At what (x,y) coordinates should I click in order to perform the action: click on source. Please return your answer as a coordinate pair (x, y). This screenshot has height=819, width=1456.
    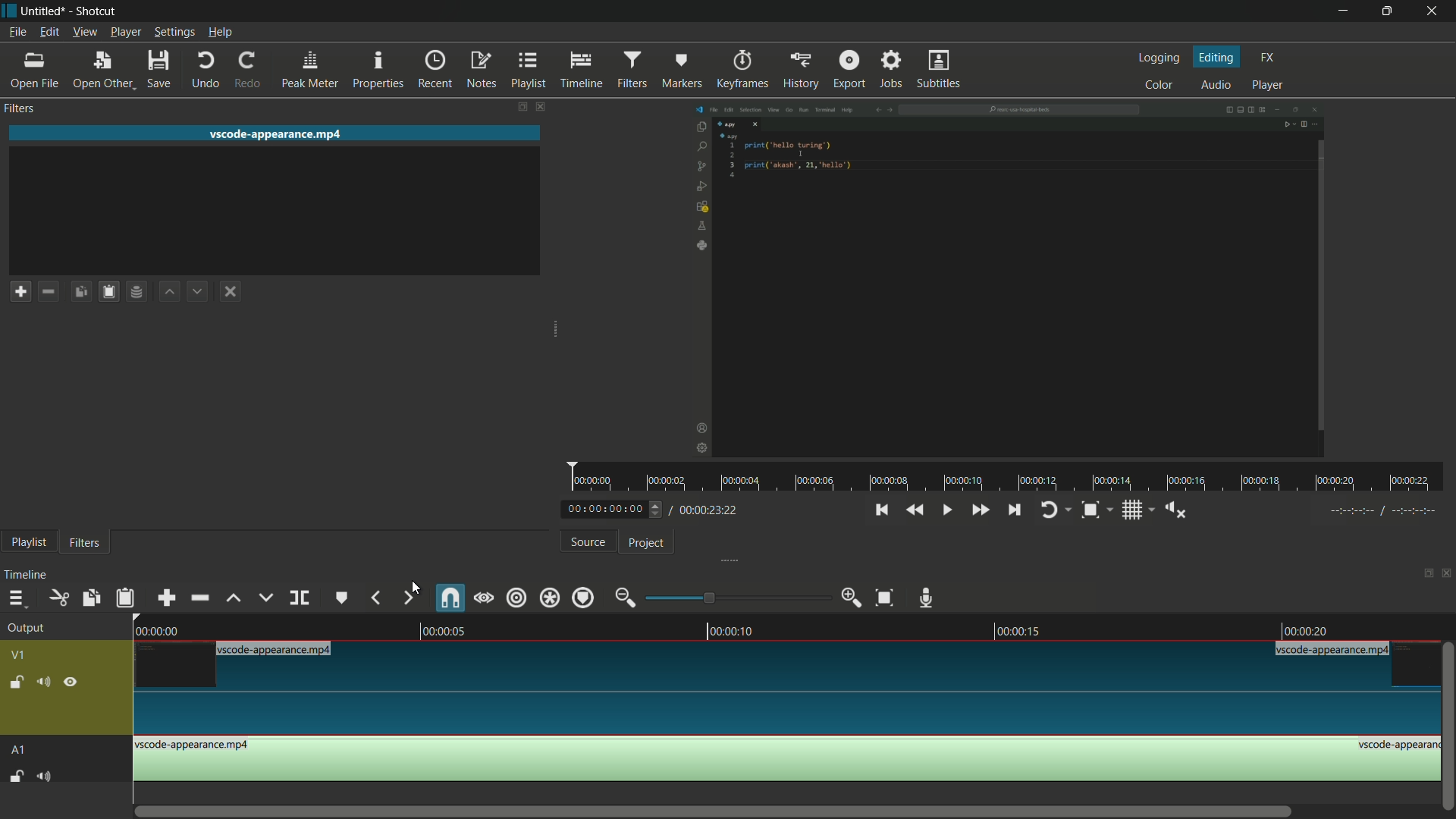
    Looking at the image, I should click on (588, 541).